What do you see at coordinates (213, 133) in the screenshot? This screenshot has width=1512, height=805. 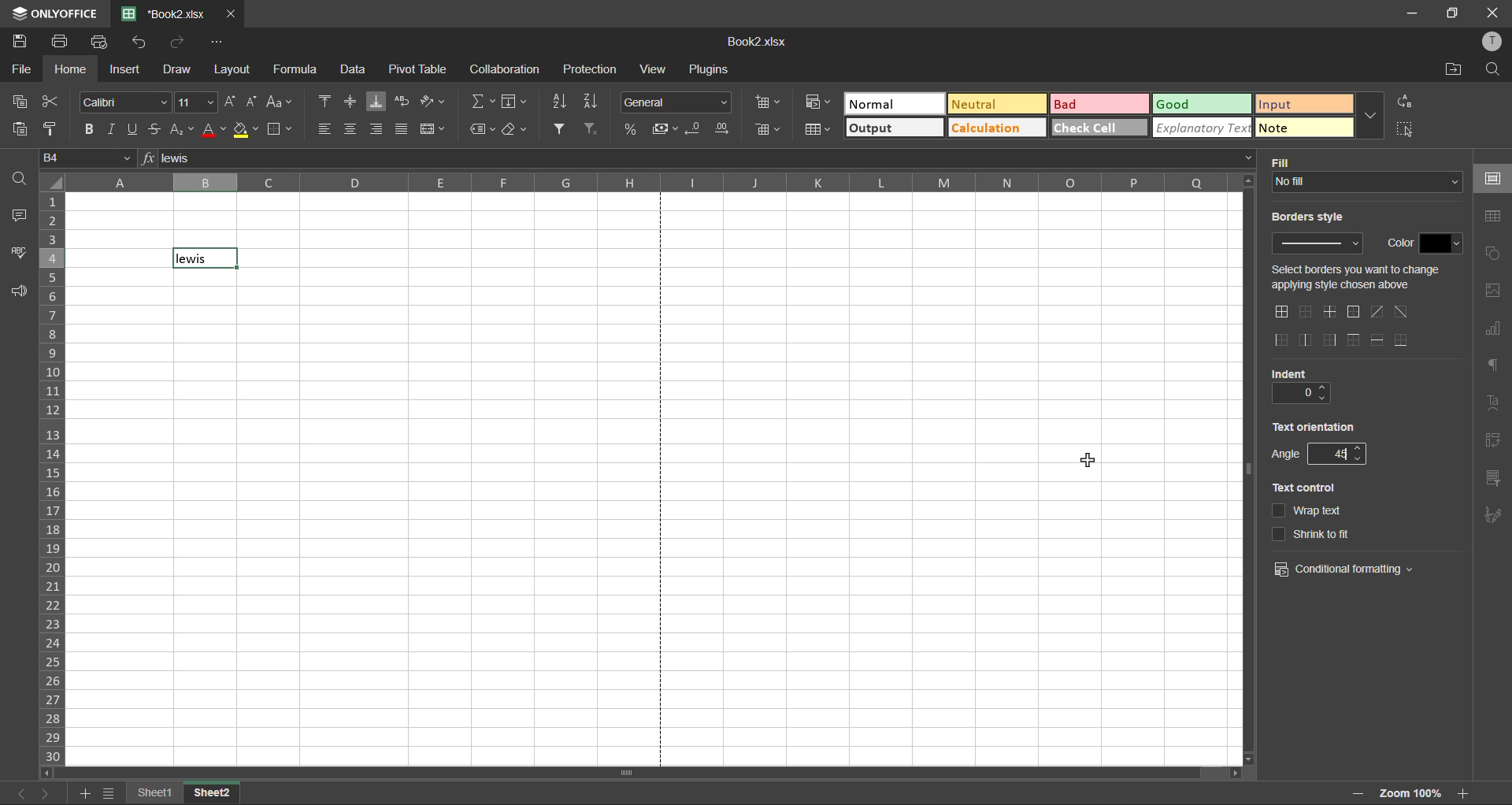 I see `font color` at bounding box center [213, 133].